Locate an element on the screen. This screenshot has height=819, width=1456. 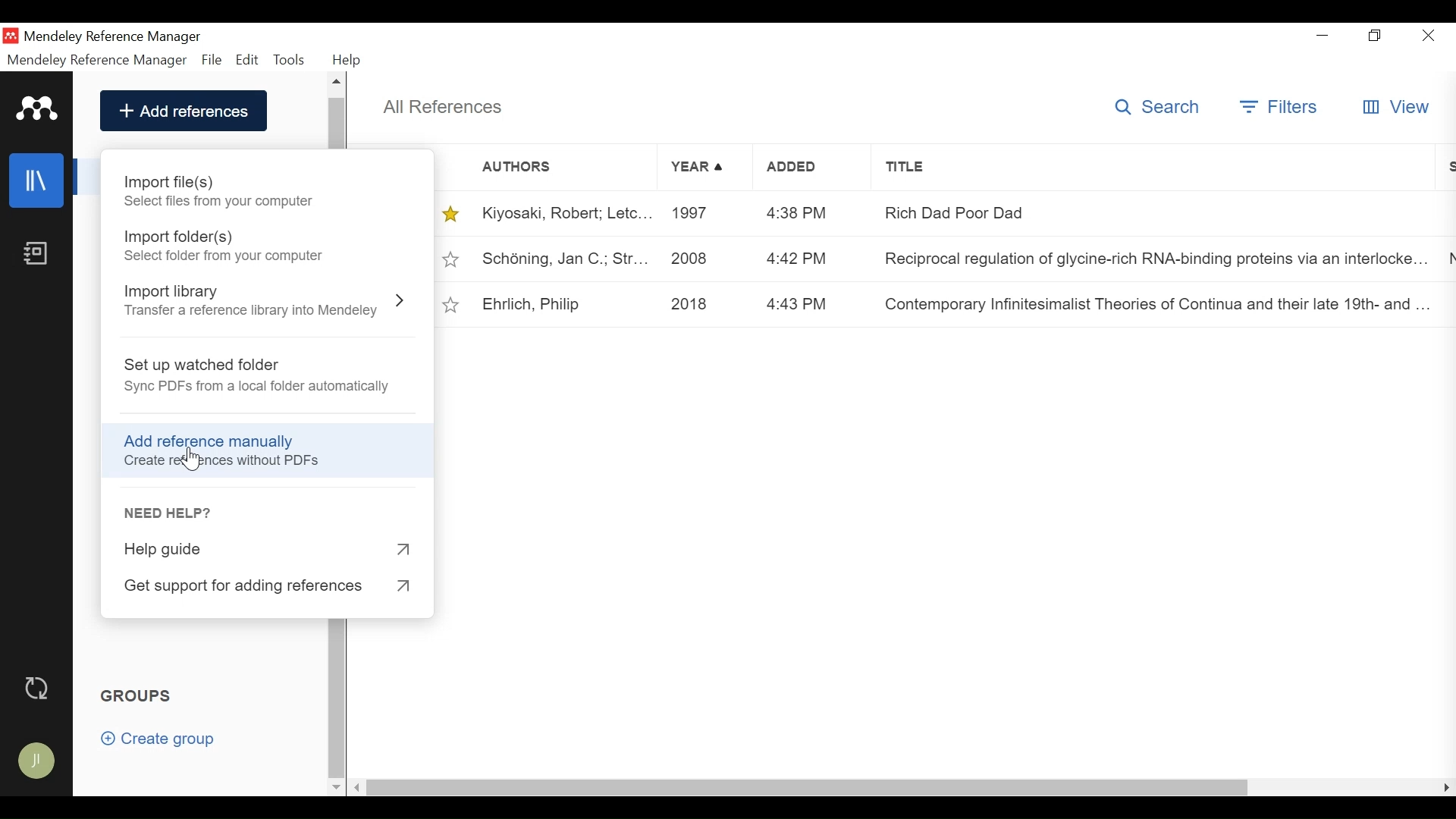
Help is located at coordinates (351, 60).